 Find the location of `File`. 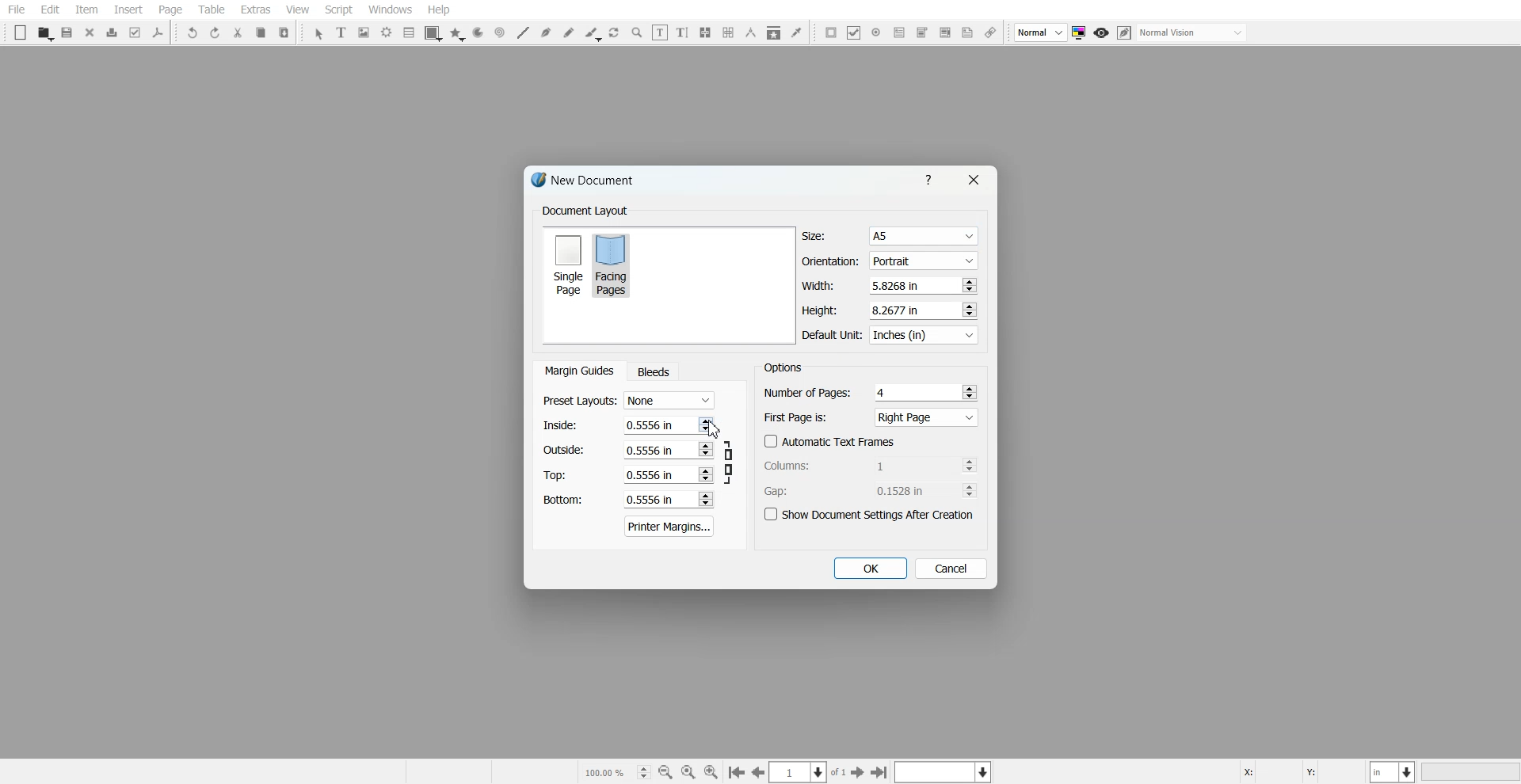

File is located at coordinates (17, 10).